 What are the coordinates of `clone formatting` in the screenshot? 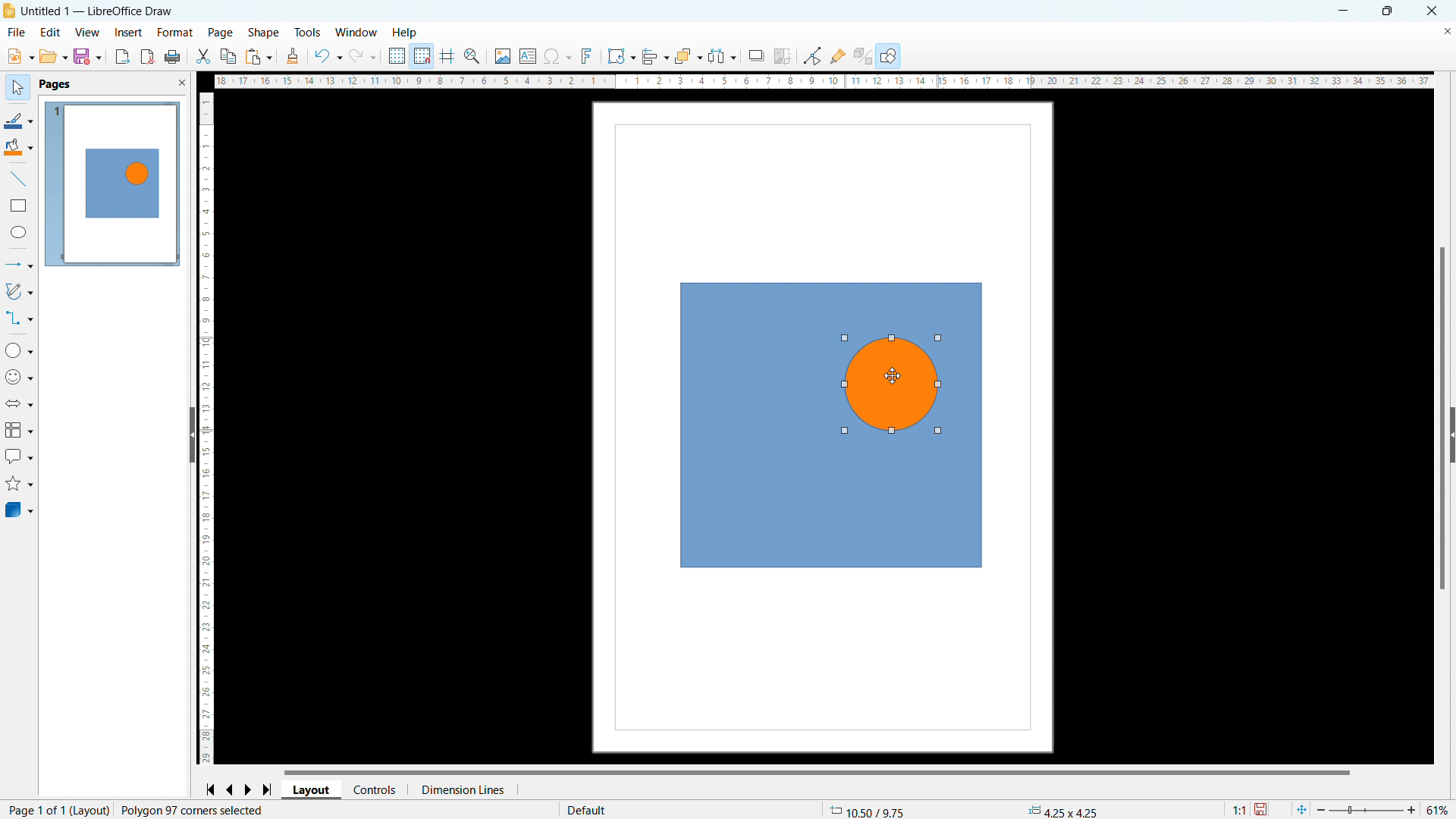 It's located at (293, 55).